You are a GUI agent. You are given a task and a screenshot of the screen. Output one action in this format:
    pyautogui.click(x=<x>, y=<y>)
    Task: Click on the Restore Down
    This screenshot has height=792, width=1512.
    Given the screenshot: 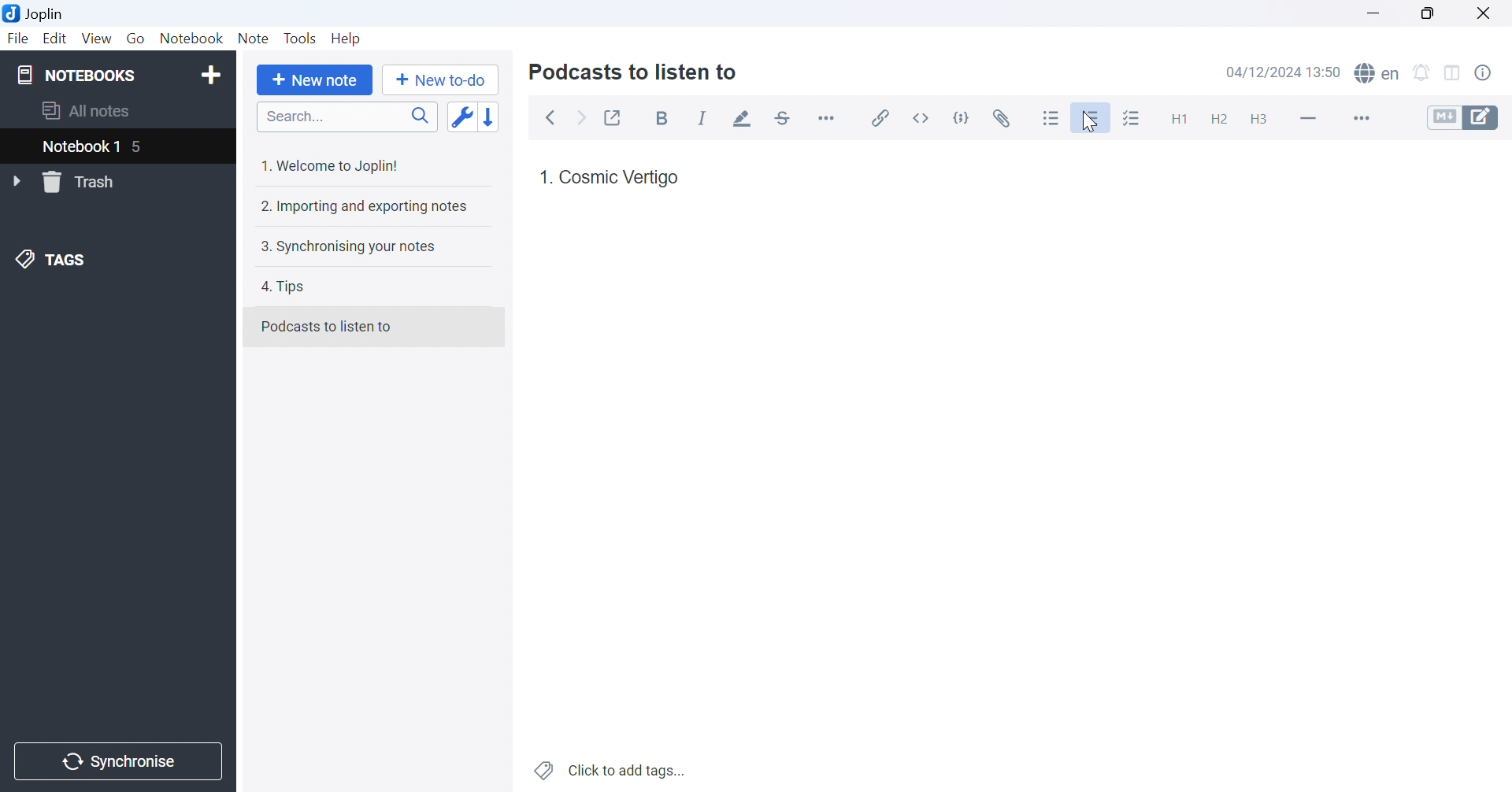 What is the action you would take?
    pyautogui.click(x=1425, y=12)
    